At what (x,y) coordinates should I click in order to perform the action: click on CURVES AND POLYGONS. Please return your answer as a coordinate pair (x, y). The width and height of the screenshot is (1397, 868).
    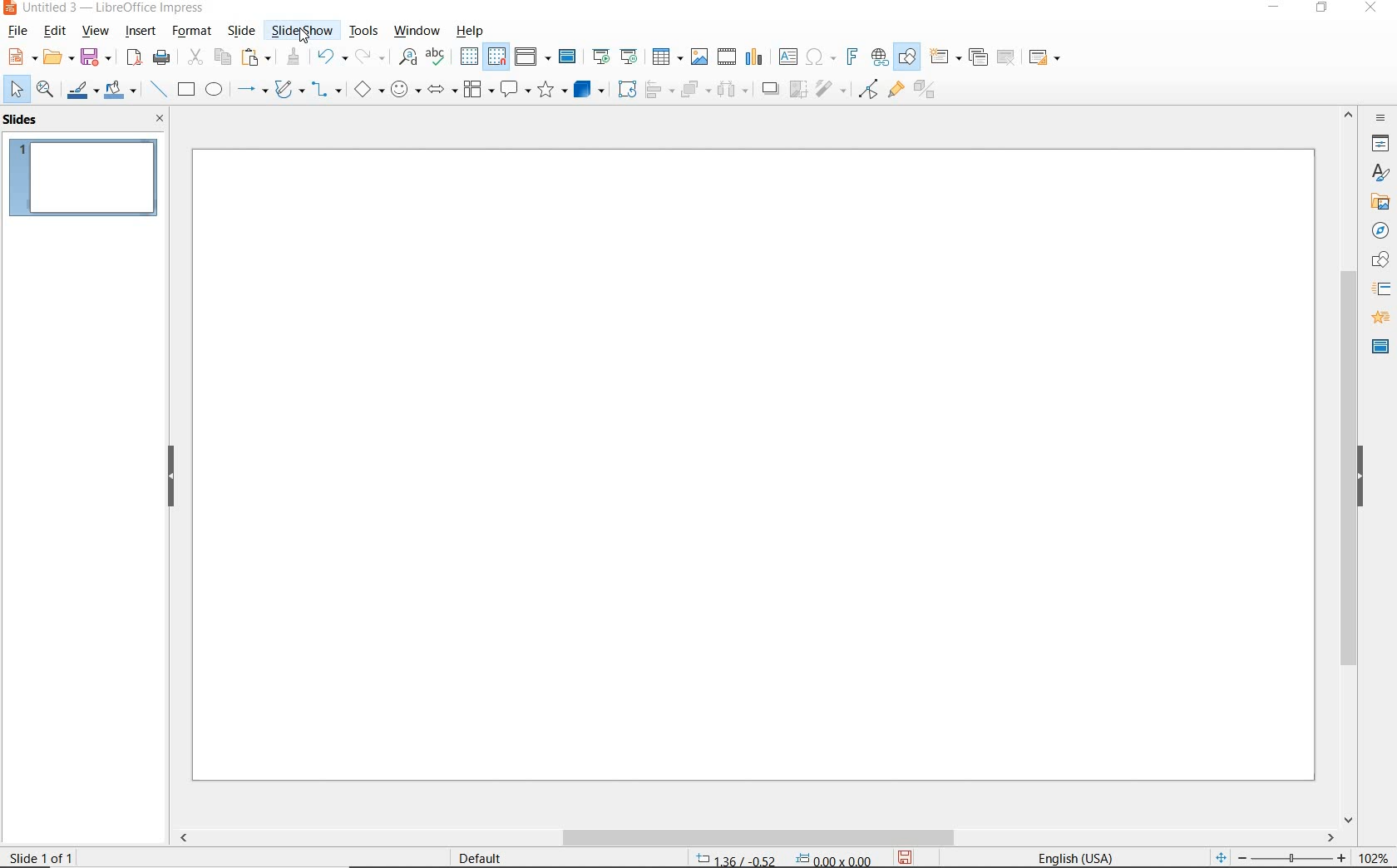
    Looking at the image, I should click on (290, 91).